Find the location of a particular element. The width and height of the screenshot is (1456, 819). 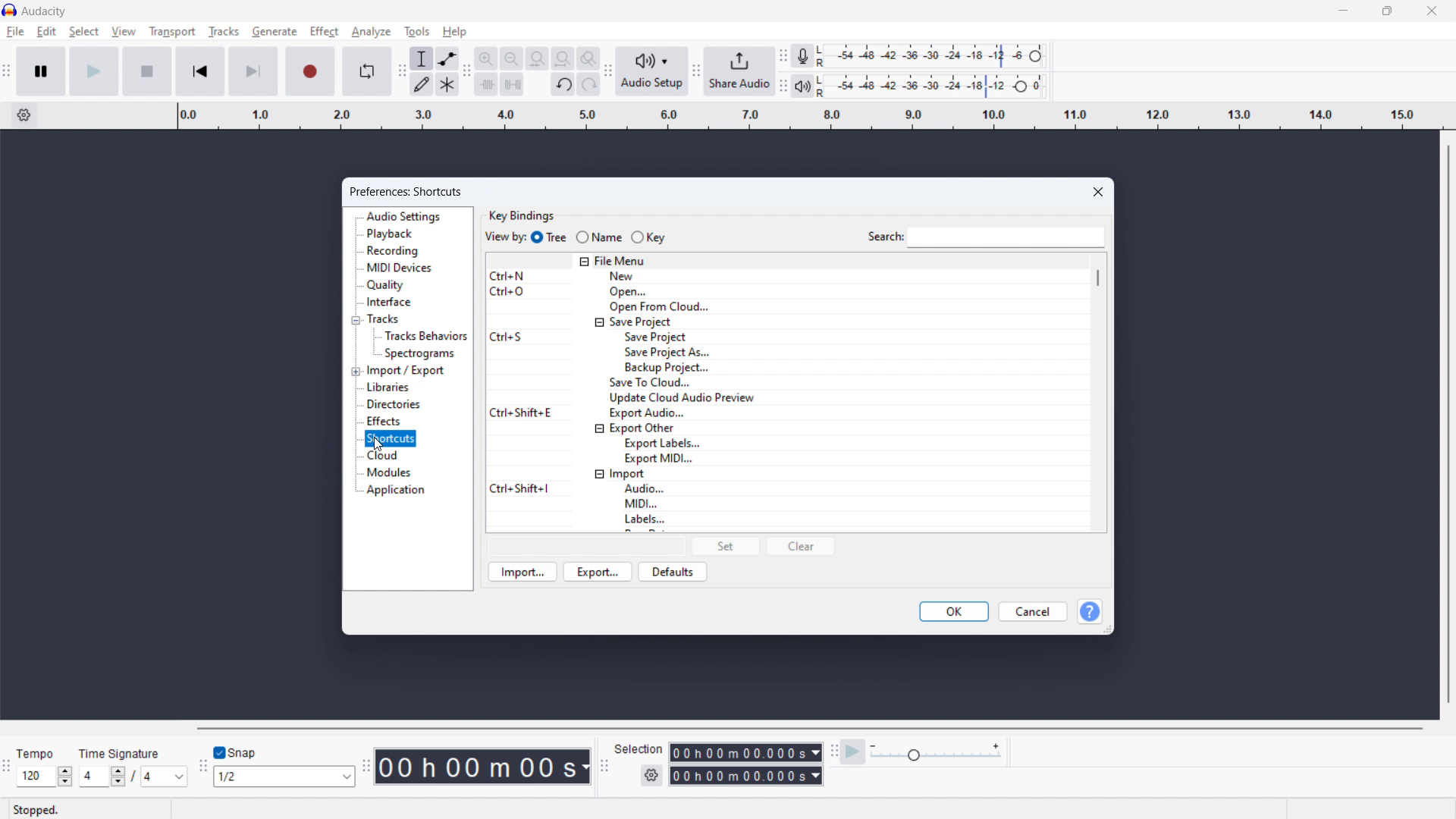

play is located at coordinates (94, 72).